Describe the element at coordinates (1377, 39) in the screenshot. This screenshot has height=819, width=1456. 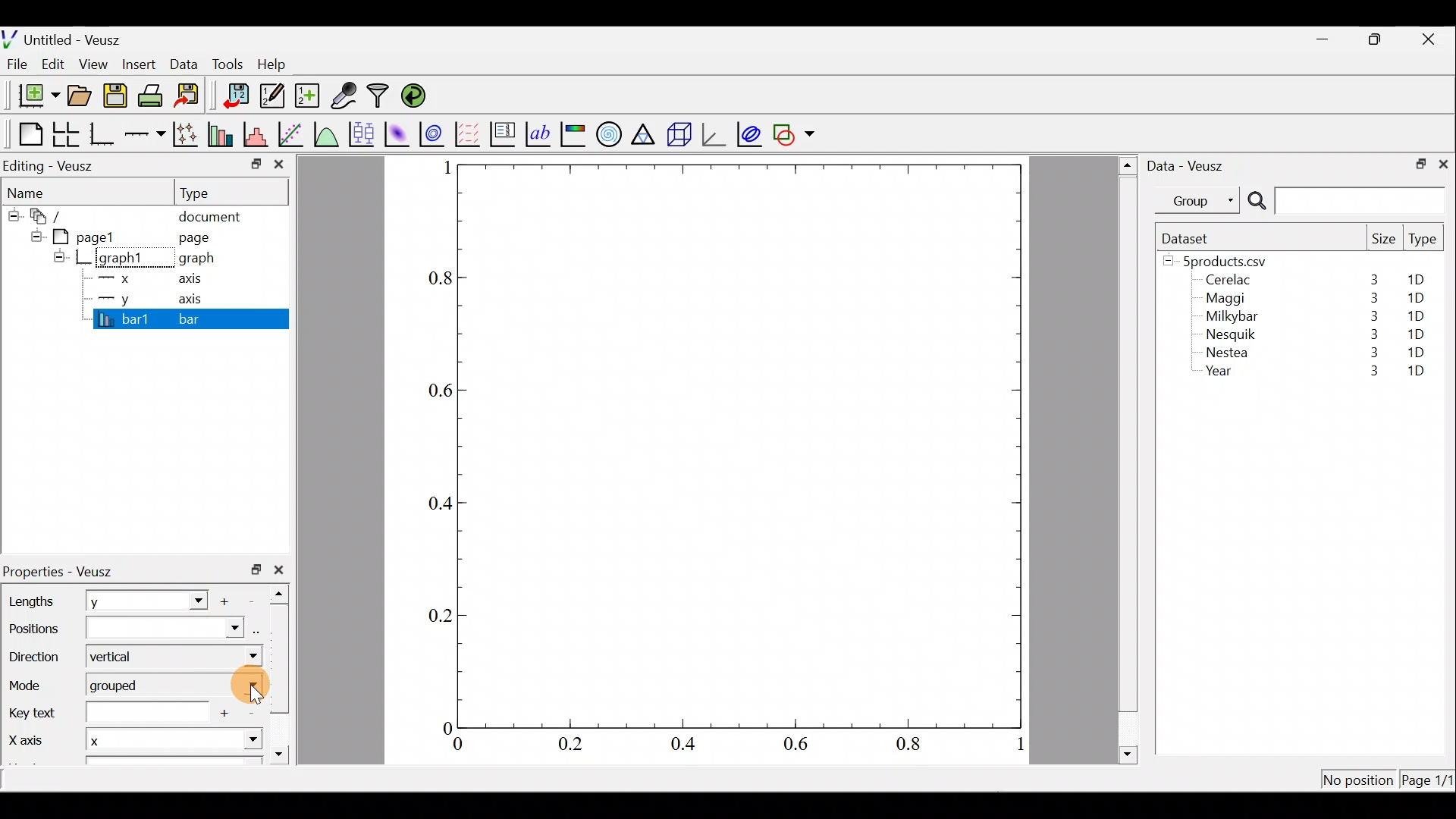
I see `restore down` at that location.